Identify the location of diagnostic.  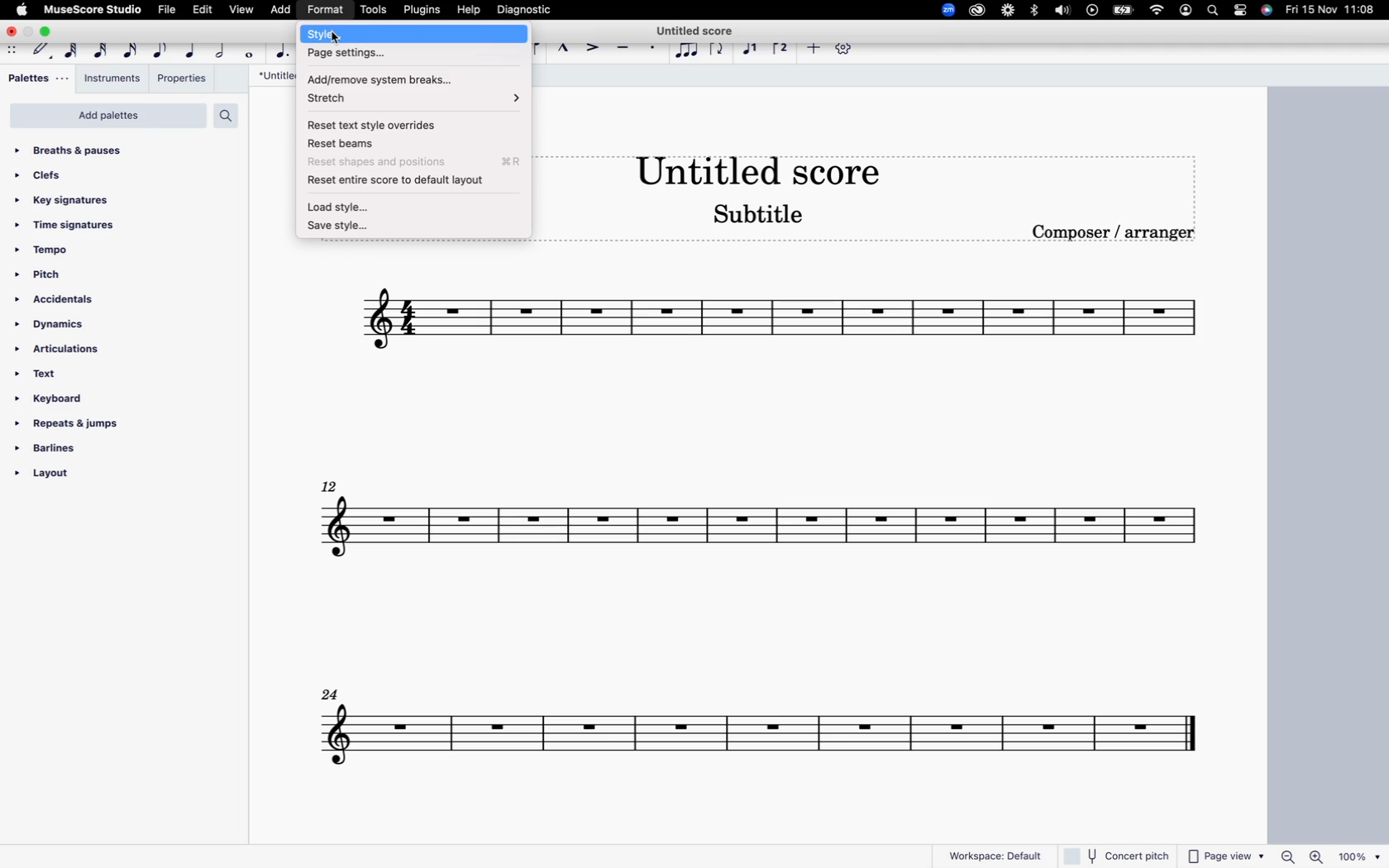
(524, 11).